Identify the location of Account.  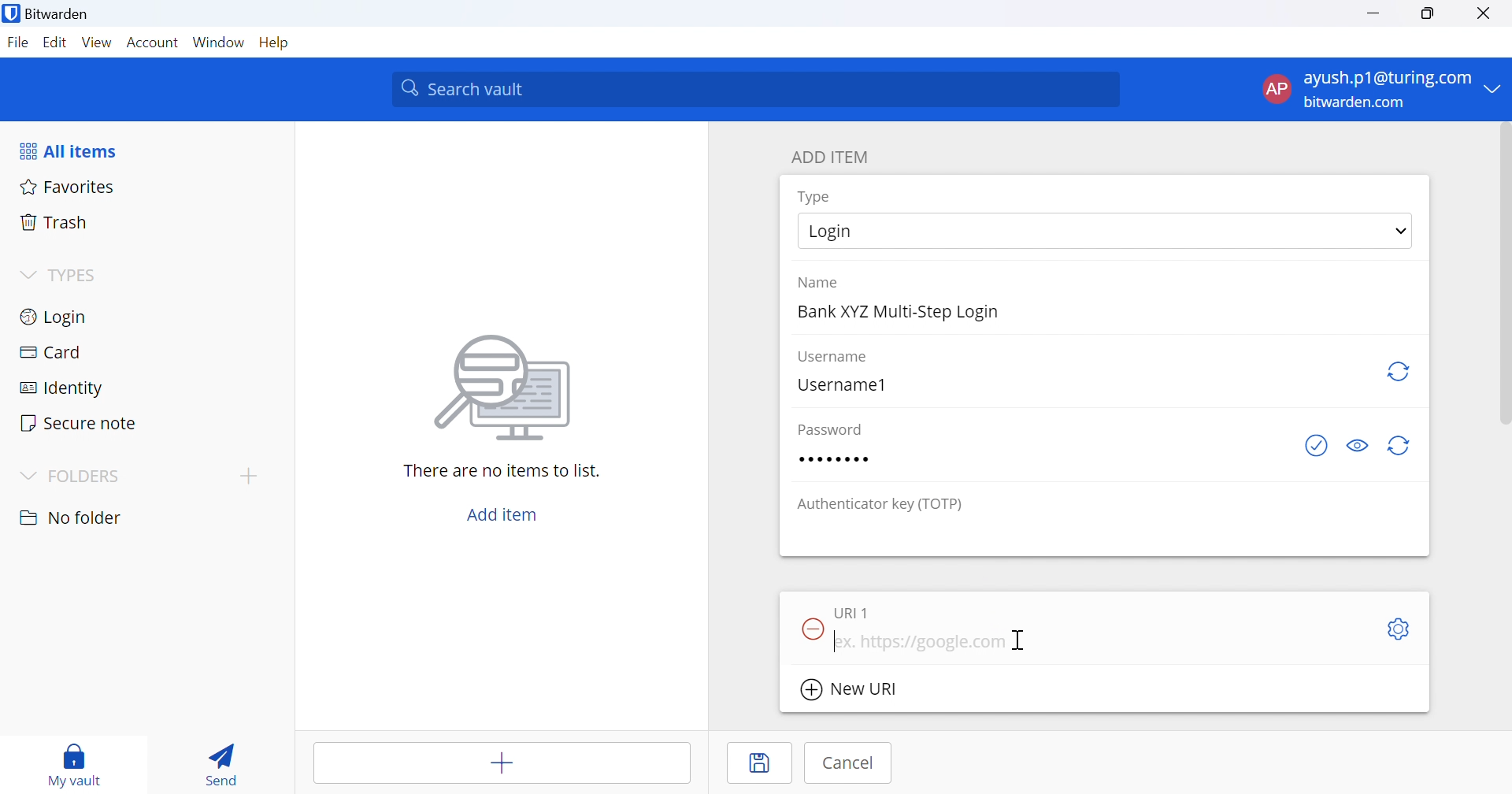
(154, 43).